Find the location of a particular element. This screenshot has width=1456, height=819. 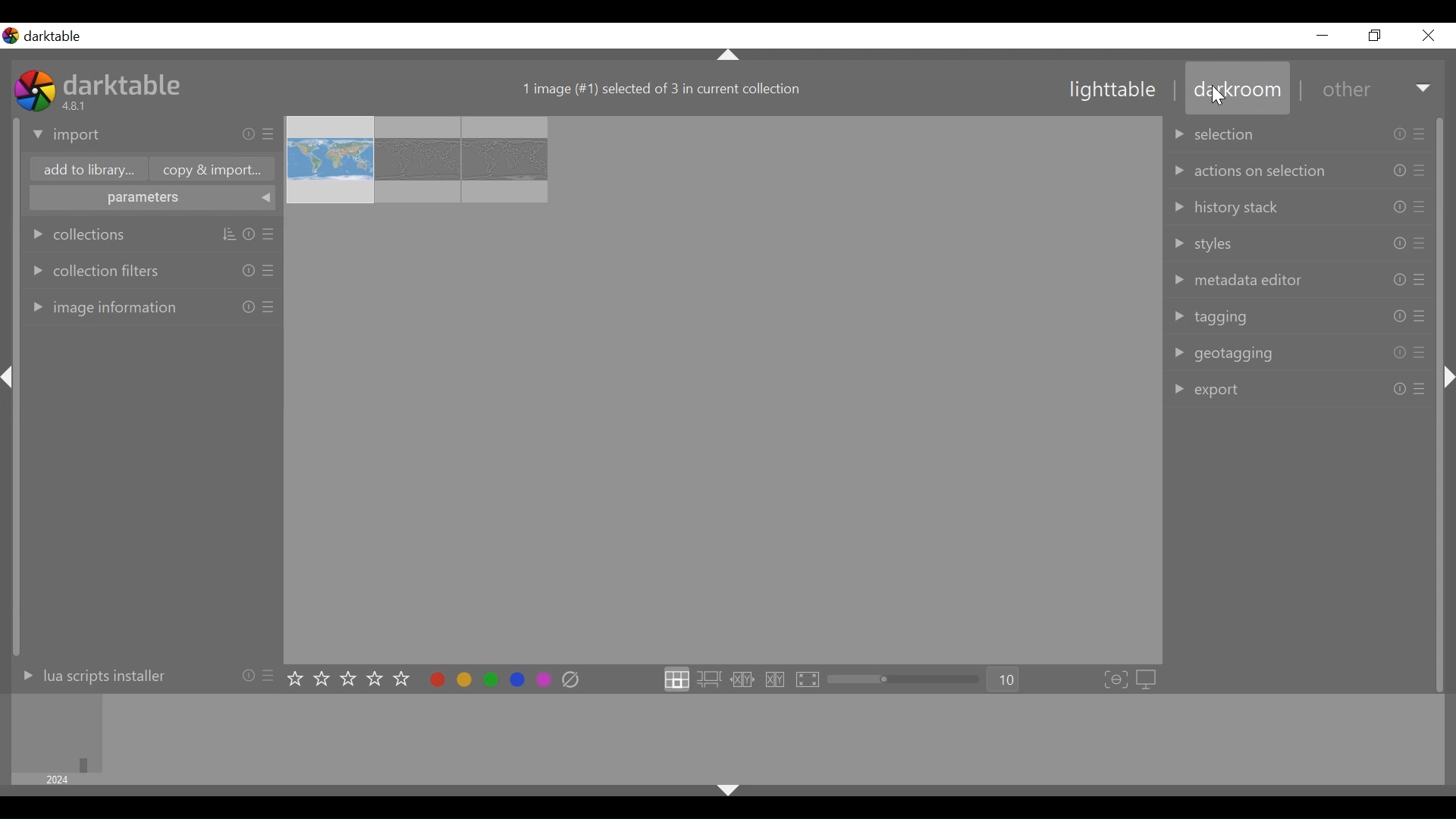

copy & Import is located at coordinates (213, 170).